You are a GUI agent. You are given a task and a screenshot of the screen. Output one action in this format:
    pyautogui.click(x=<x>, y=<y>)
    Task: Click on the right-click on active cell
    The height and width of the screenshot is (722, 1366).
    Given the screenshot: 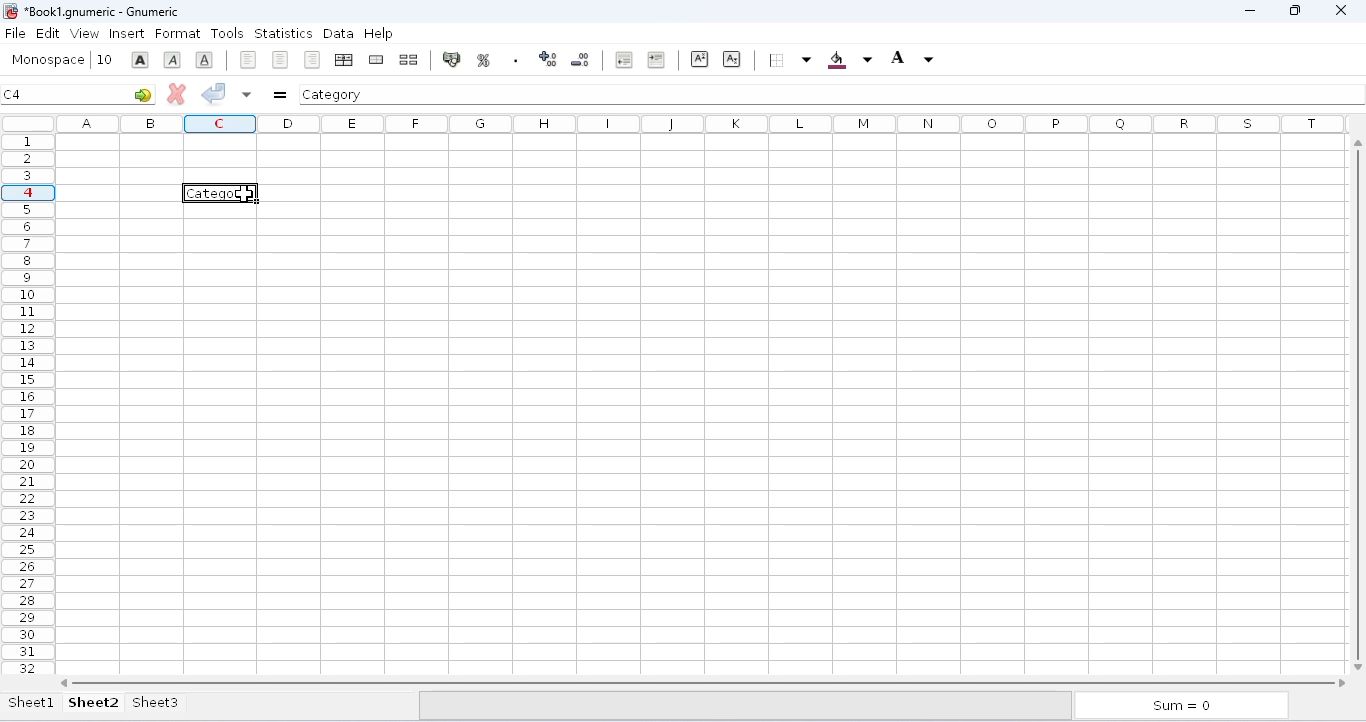 What is the action you would take?
    pyautogui.click(x=219, y=192)
    